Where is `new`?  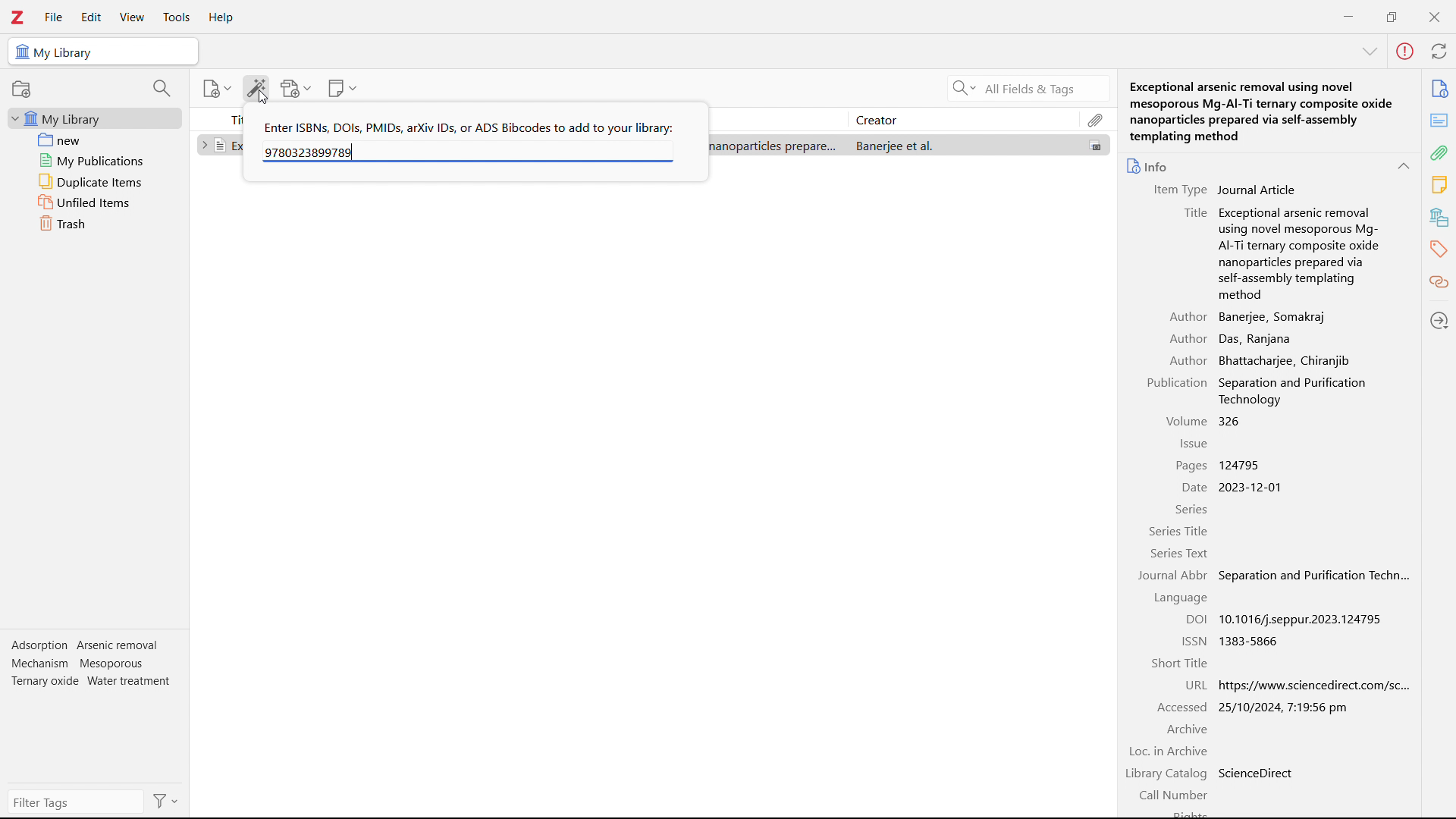
new is located at coordinates (96, 140).